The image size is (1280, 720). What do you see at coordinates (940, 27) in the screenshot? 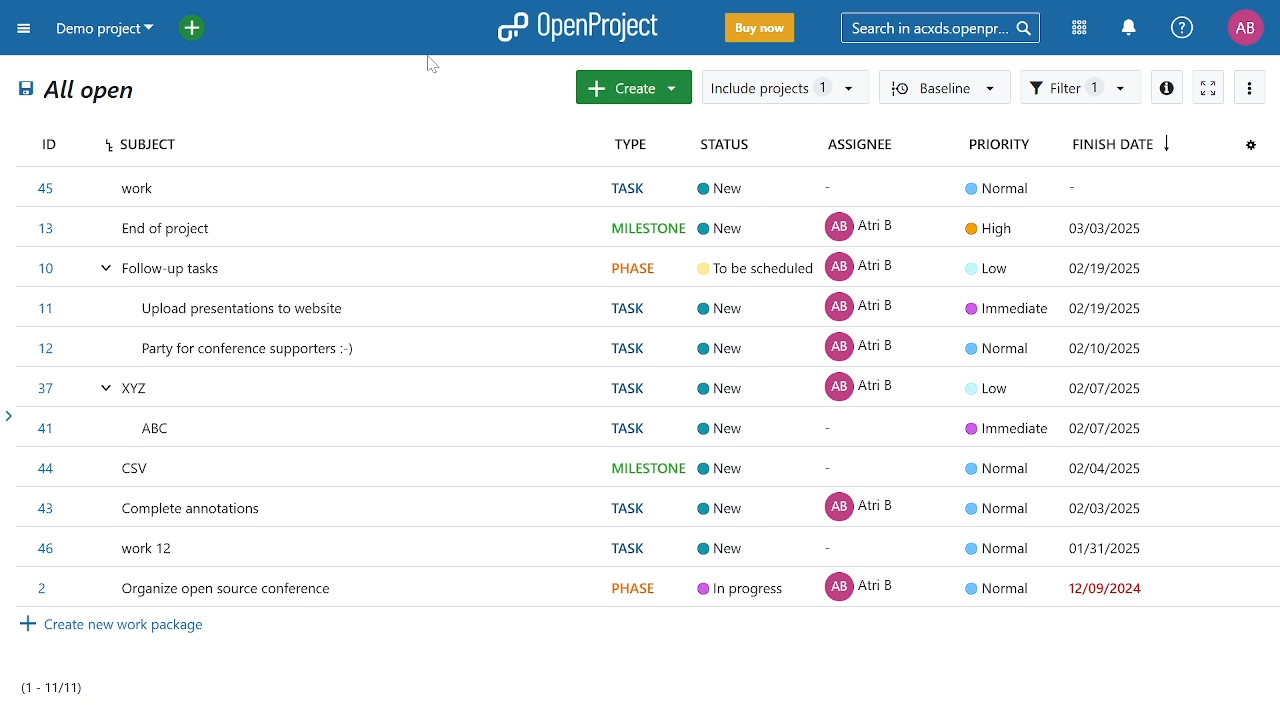
I see `search` at bounding box center [940, 27].